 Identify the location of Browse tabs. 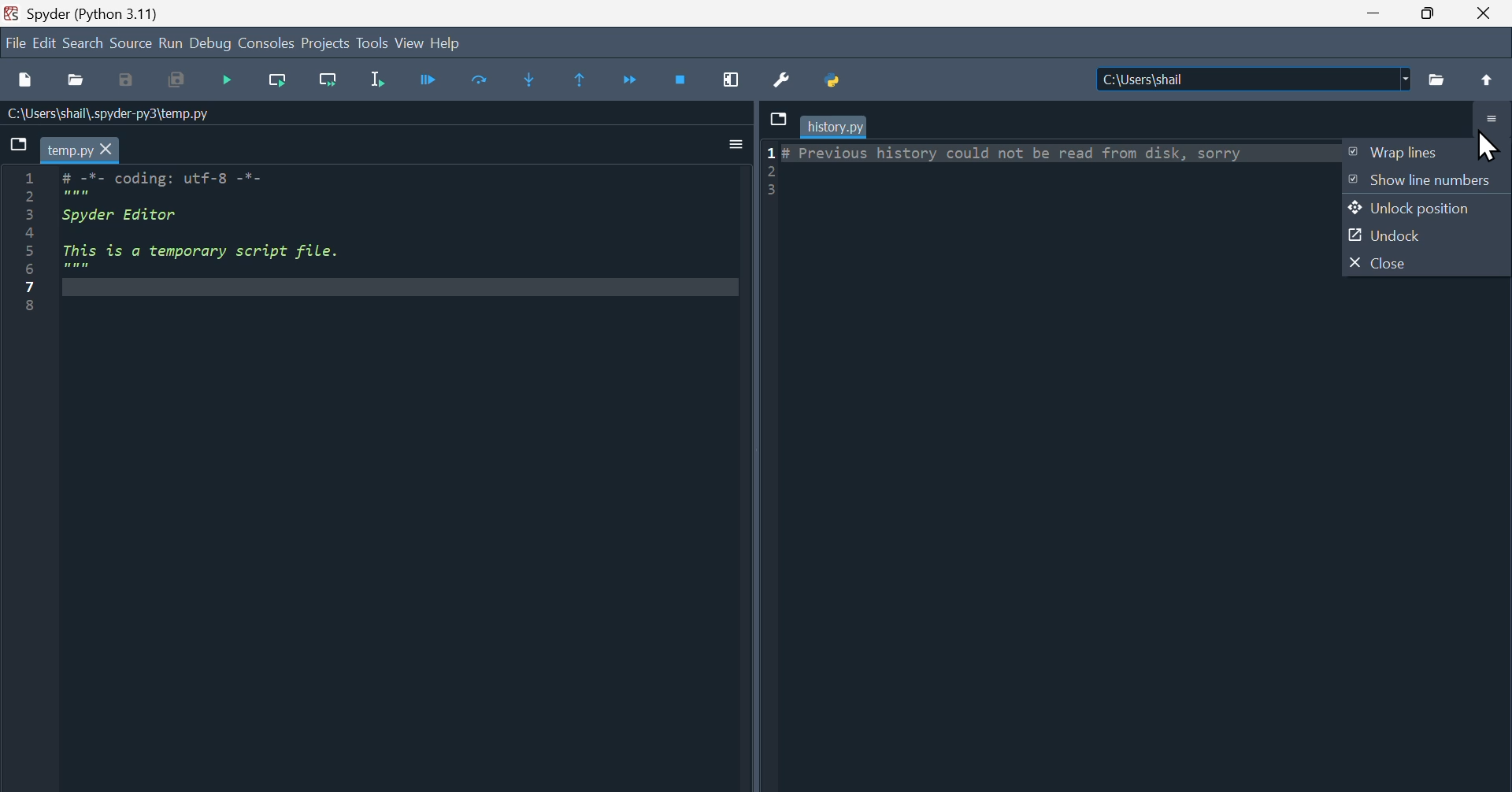
(19, 146).